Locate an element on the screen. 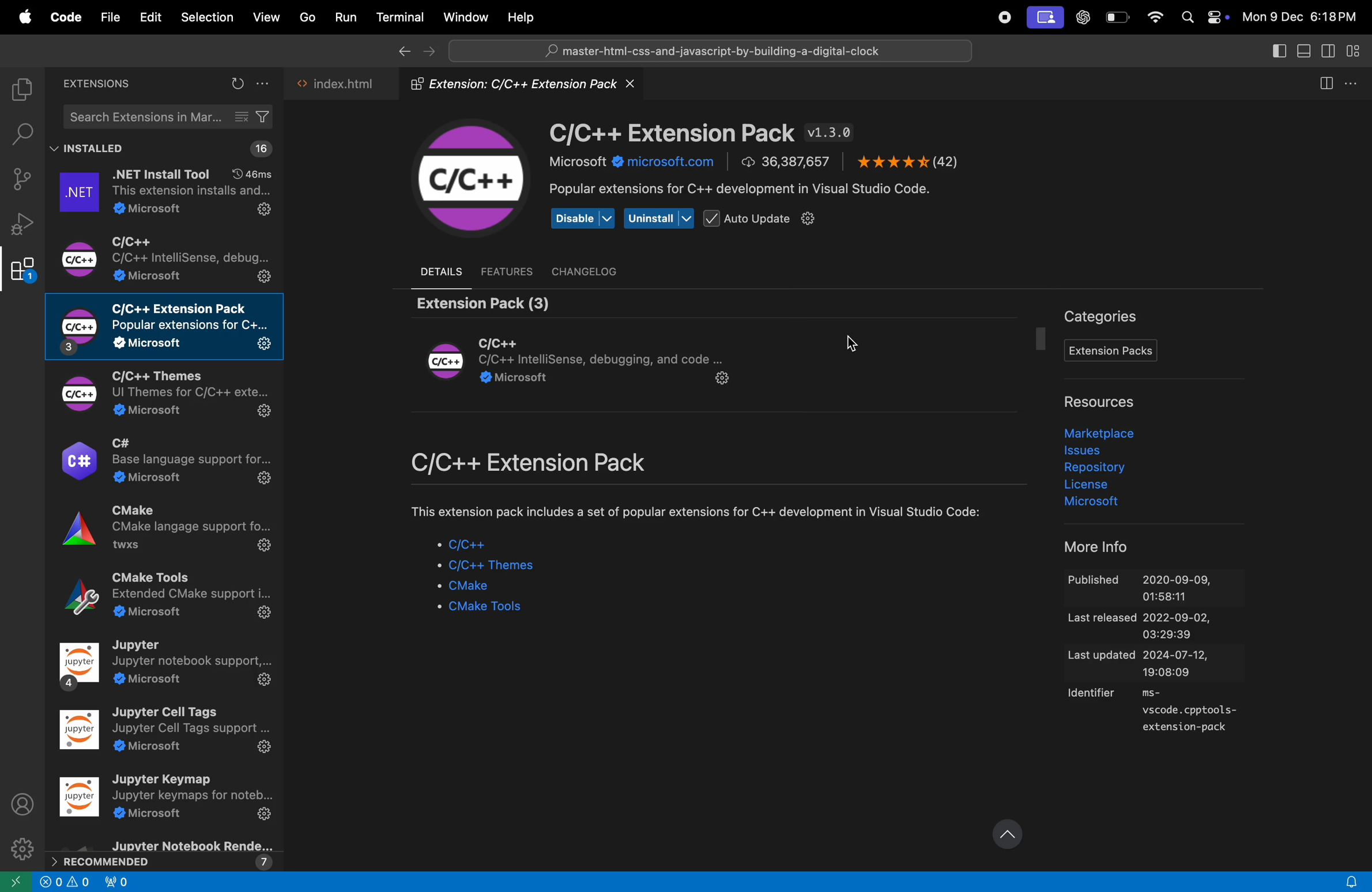 The width and height of the screenshot is (1372, 892). more actions is located at coordinates (1355, 81).